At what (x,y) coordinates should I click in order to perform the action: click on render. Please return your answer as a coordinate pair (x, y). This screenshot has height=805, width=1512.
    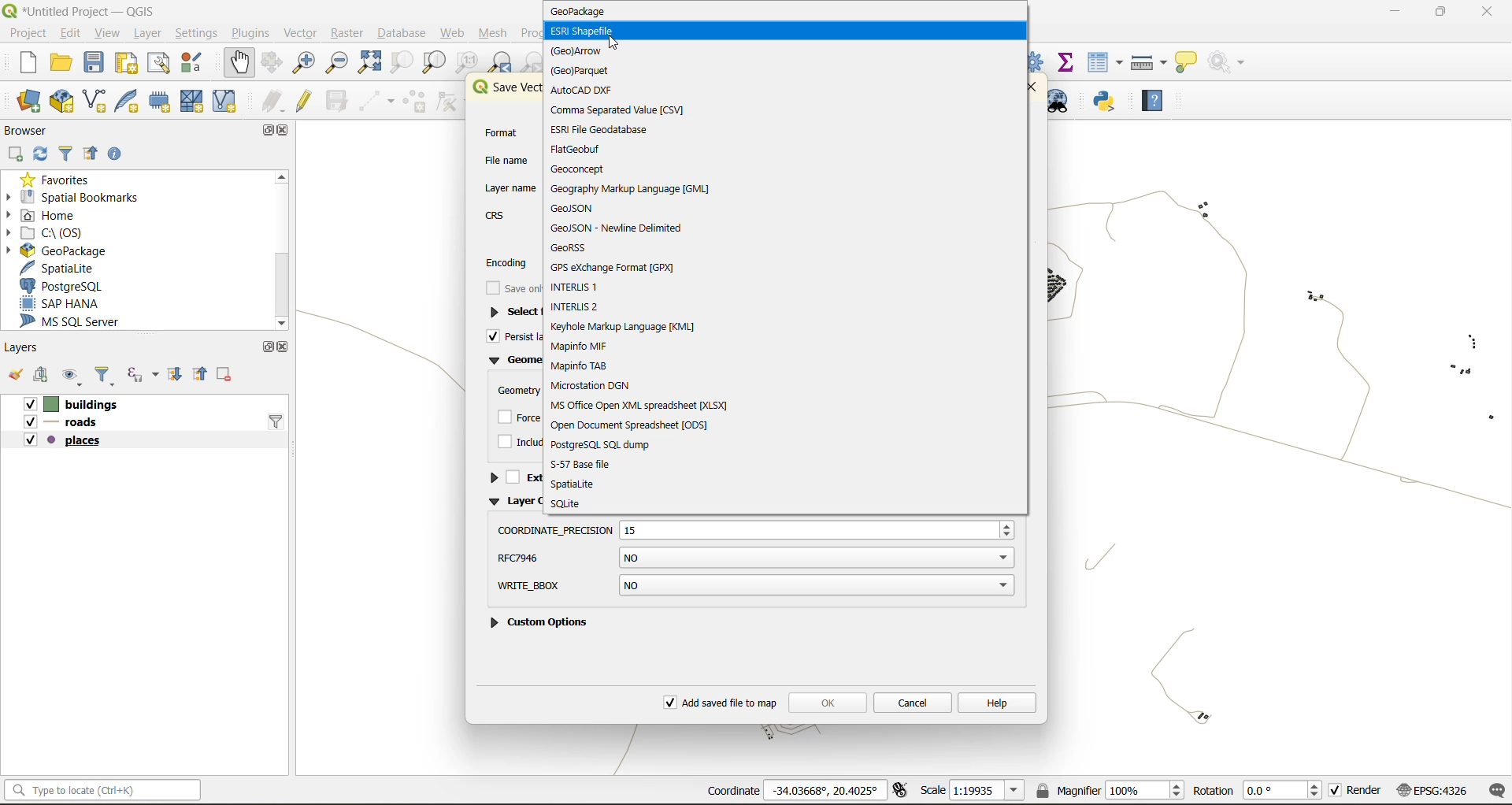
    Looking at the image, I should click on (1357, 790).